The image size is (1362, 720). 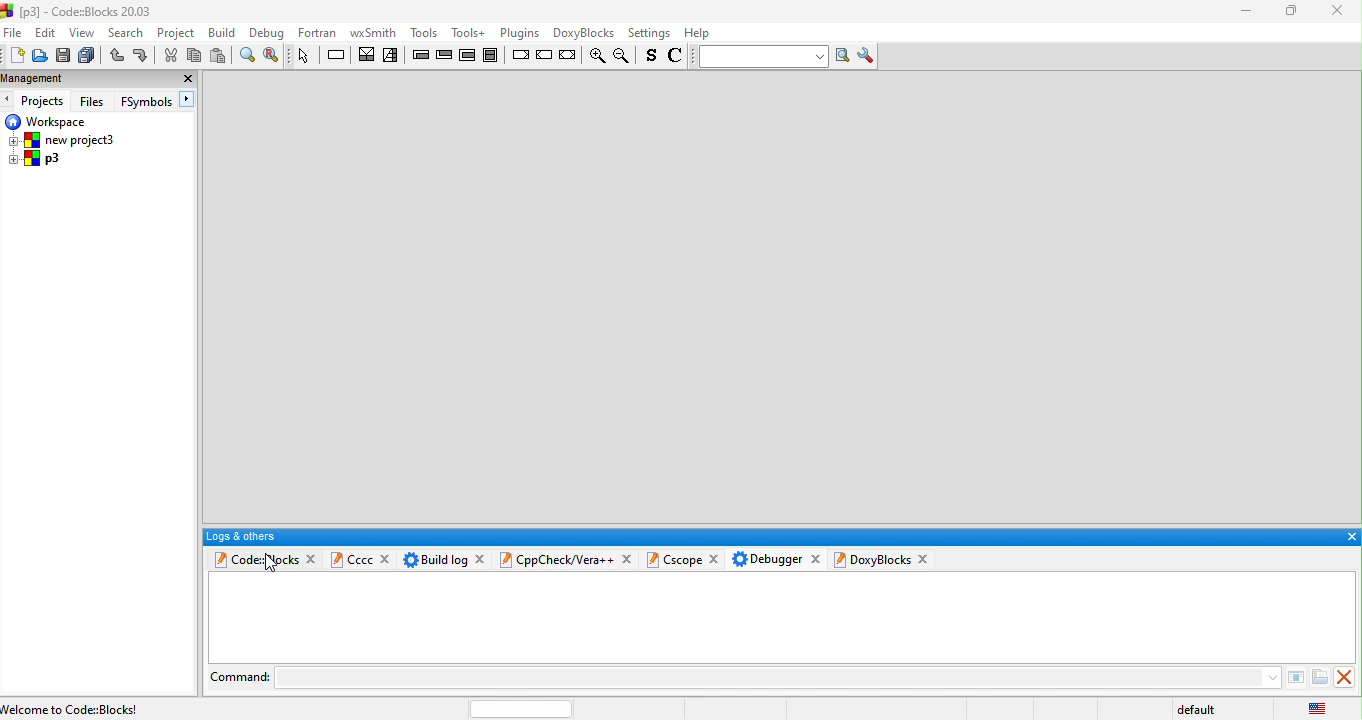 What do you see at coordinates (1350, 537) in the screenshot?
I see `close` at bounding box center [1350, 537].